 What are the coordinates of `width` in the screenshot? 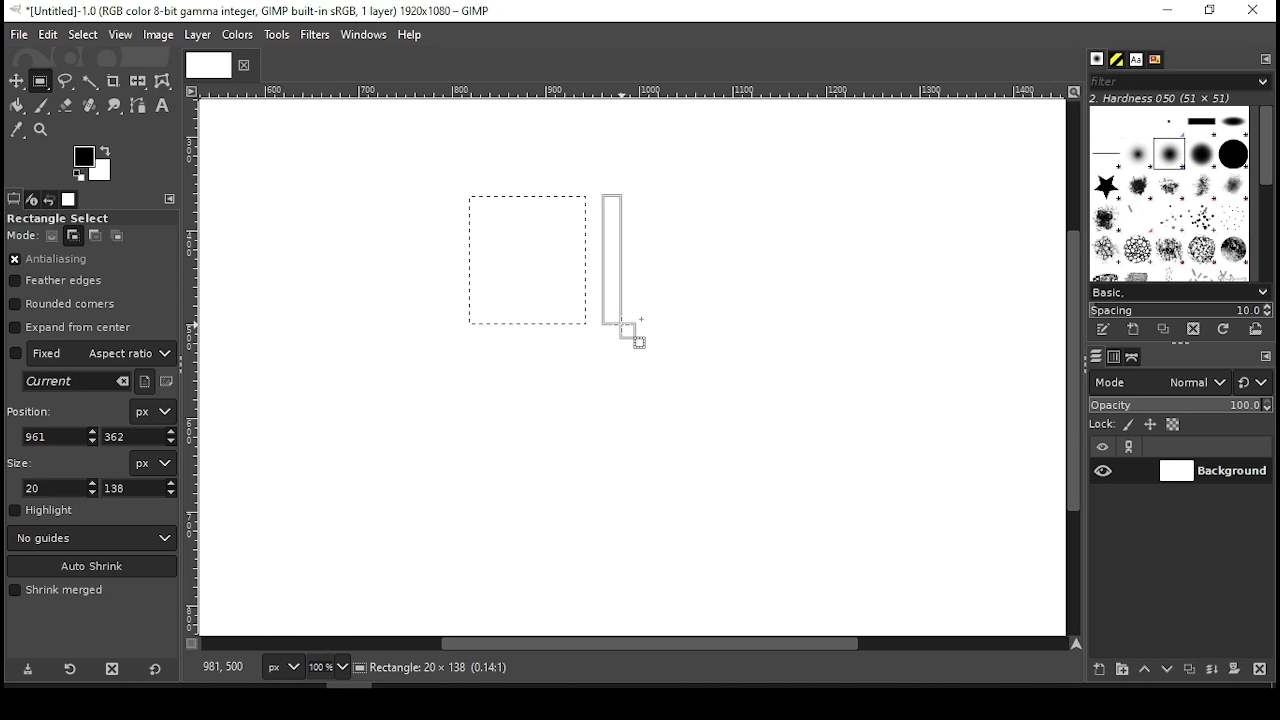 It's located at (62, 488).